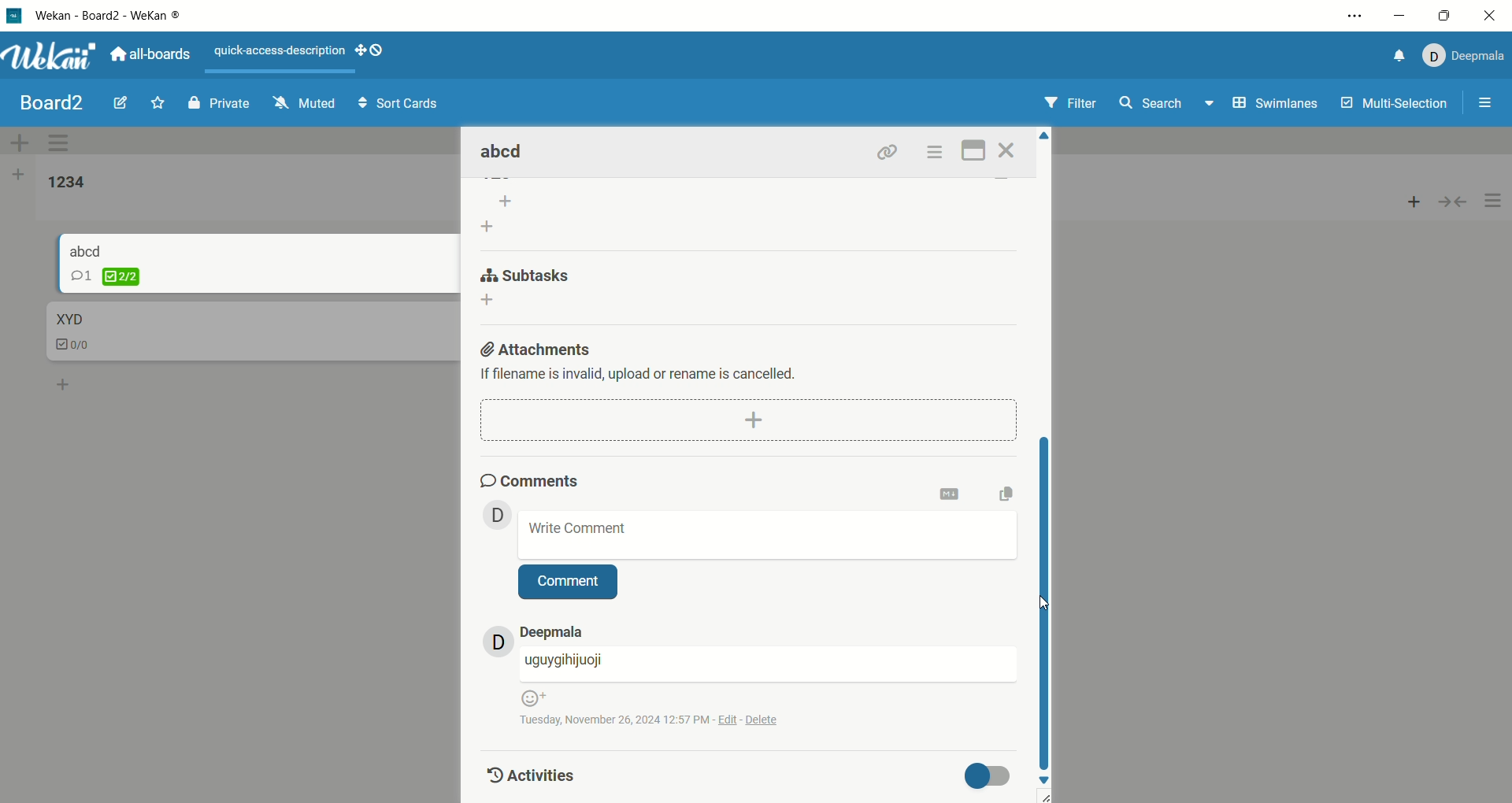 The height and width of the screenshot is (803, 1512). What do you see at coordinates (1414, 198) in the screenshot?
I see `add` at bounding box center [1414, 198].